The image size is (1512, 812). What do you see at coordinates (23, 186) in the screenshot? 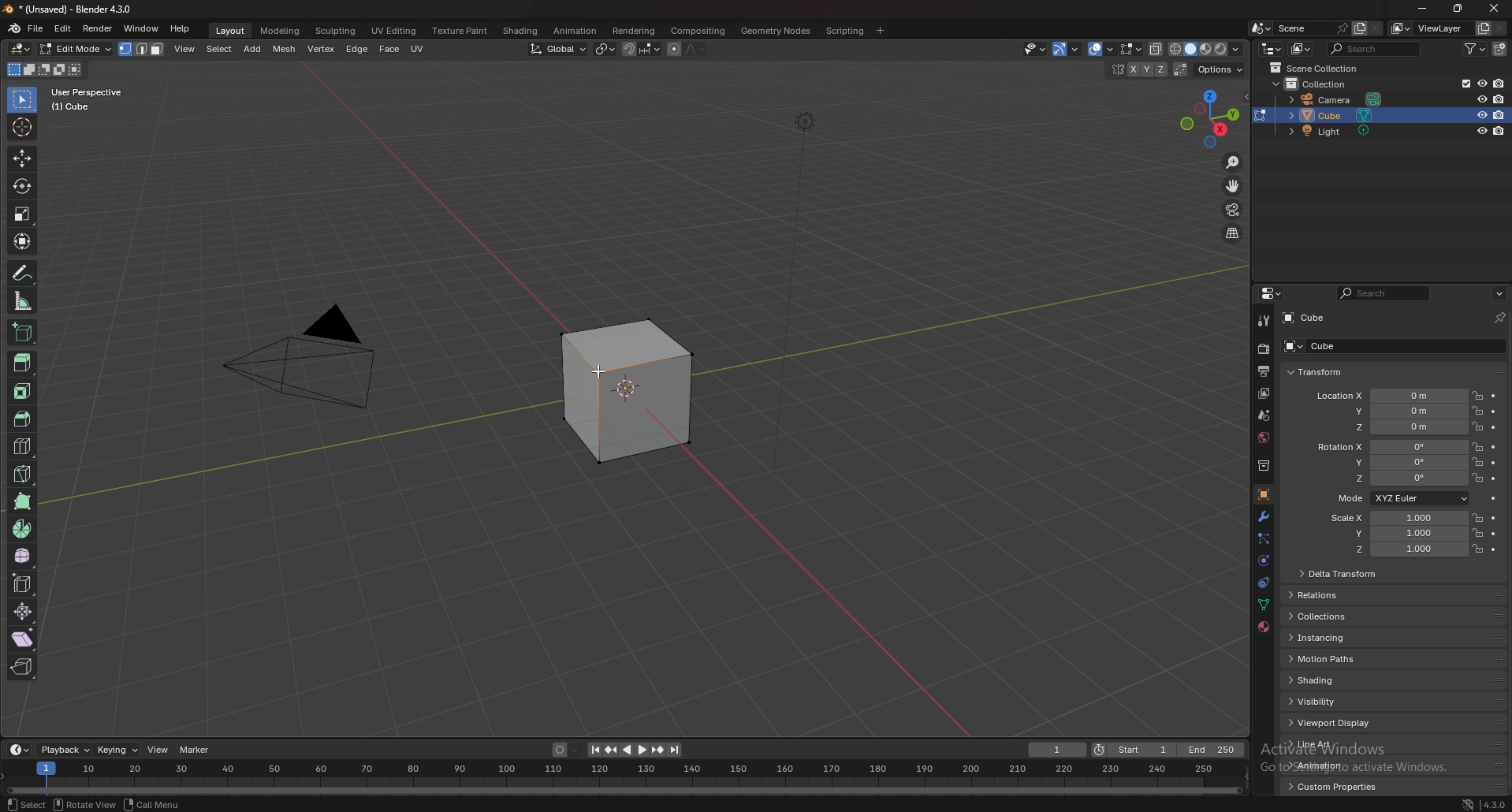
I see `rotate` at bounding box center [23, 186].